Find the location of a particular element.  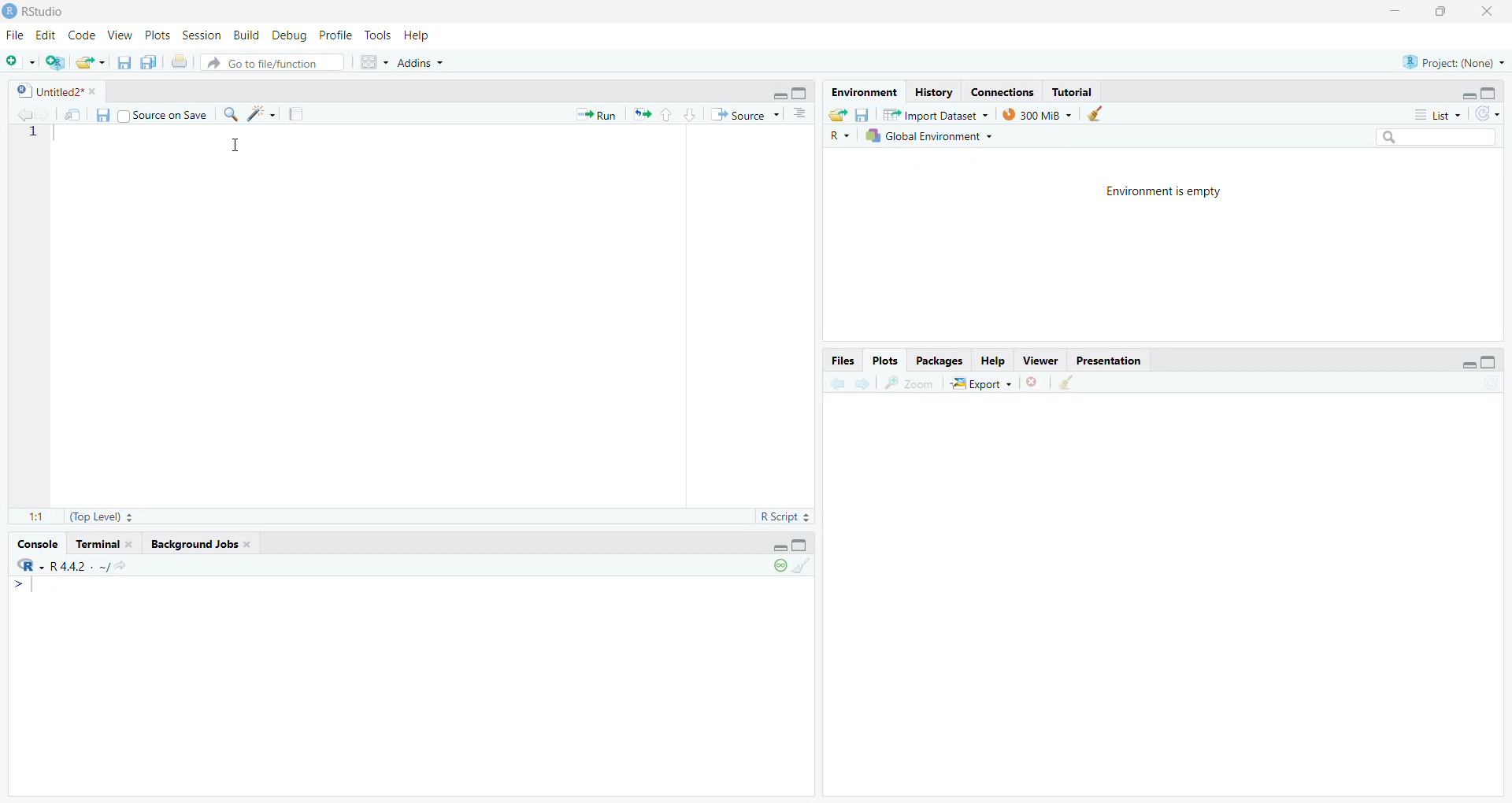

background Jobs is located at coordinates (199, 546).